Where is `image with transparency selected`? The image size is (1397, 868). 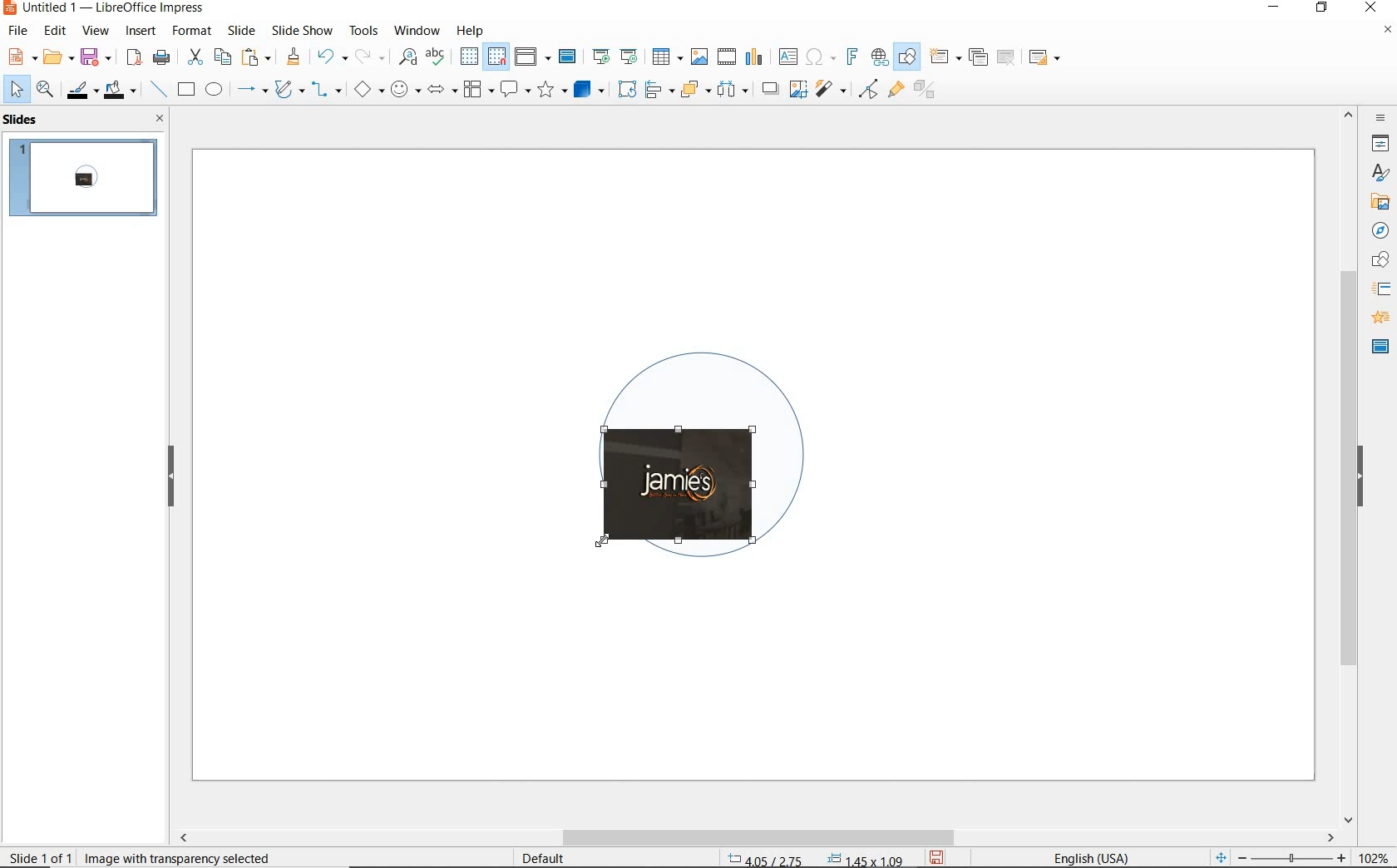 image with transparency selected is located at coordinates (193, 856).